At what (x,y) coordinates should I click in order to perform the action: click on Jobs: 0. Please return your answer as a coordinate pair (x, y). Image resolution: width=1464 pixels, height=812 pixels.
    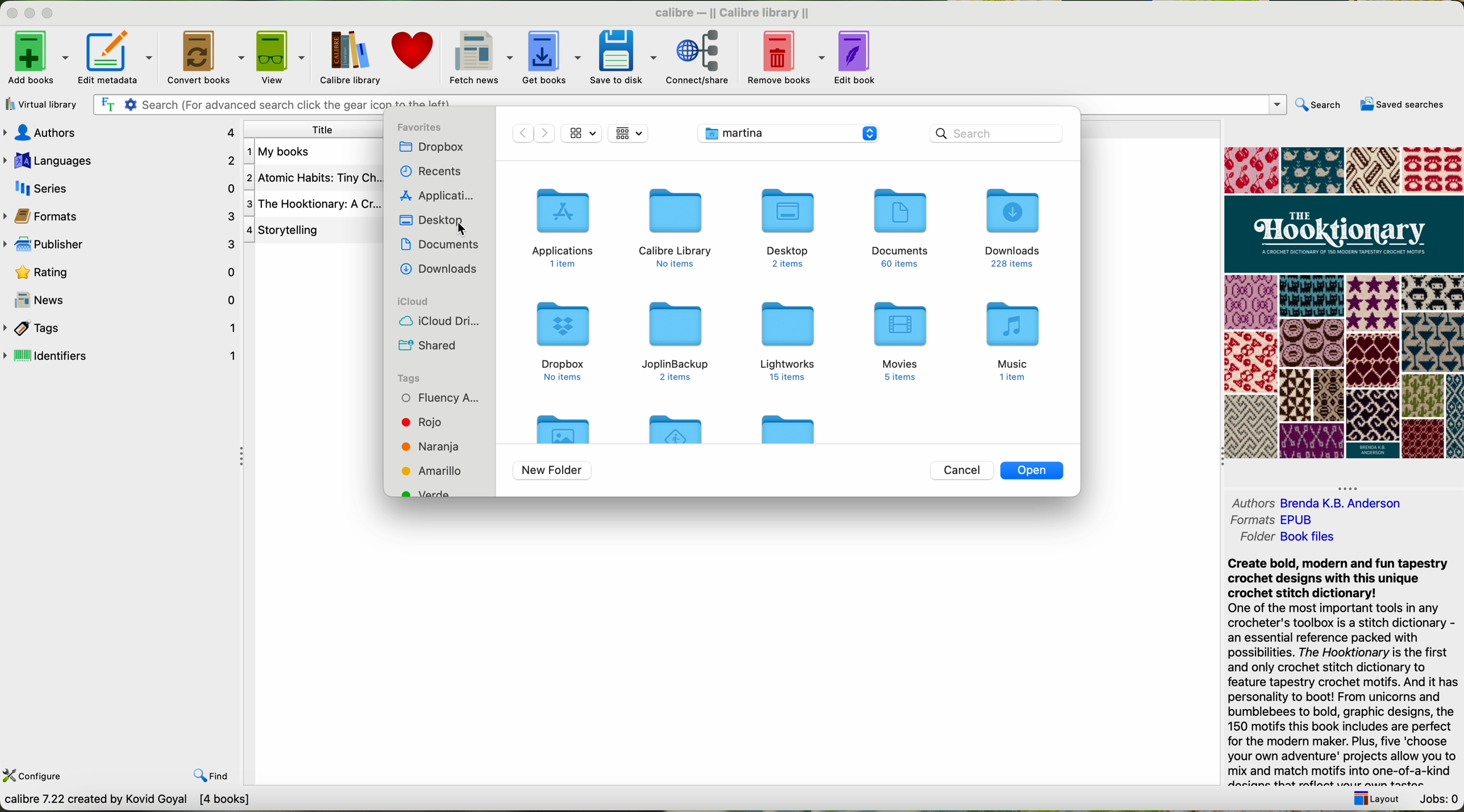
    Looking at the image, I should click on (1440, 797).